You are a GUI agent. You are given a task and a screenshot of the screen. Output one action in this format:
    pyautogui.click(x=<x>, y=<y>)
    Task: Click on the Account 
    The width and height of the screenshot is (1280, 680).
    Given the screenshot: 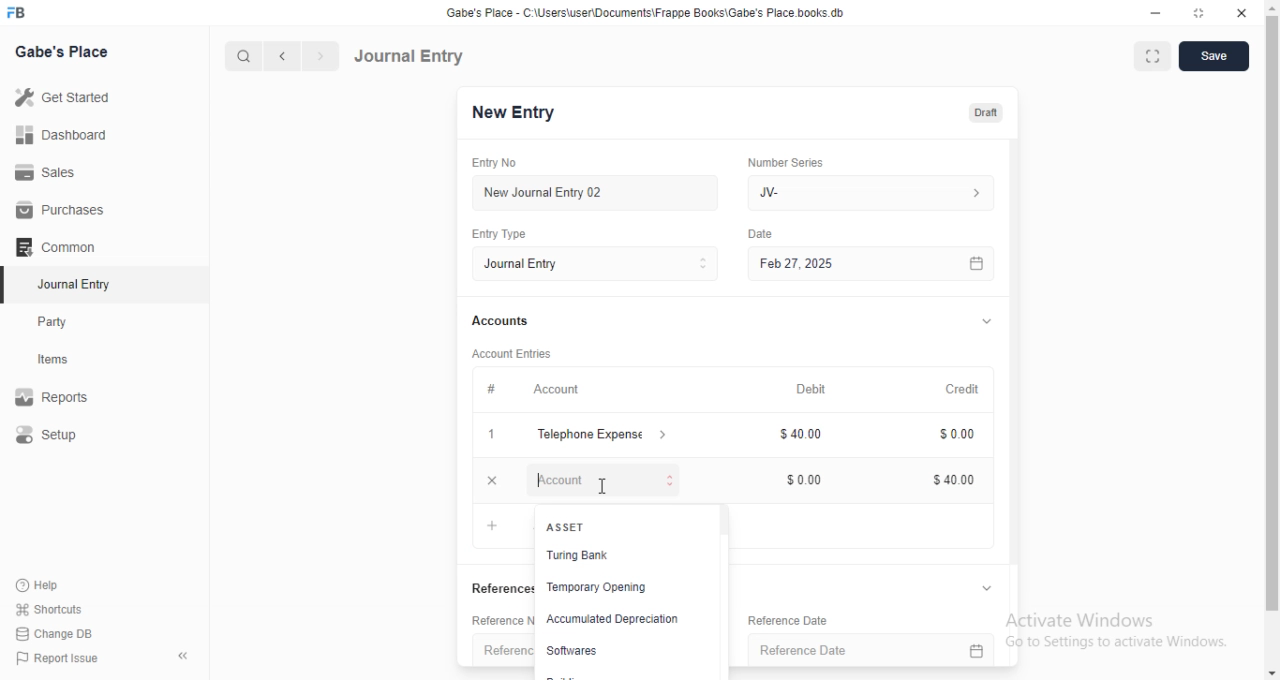 What is the action you would take?
    pyautogui.click(x=609, y=479)
    